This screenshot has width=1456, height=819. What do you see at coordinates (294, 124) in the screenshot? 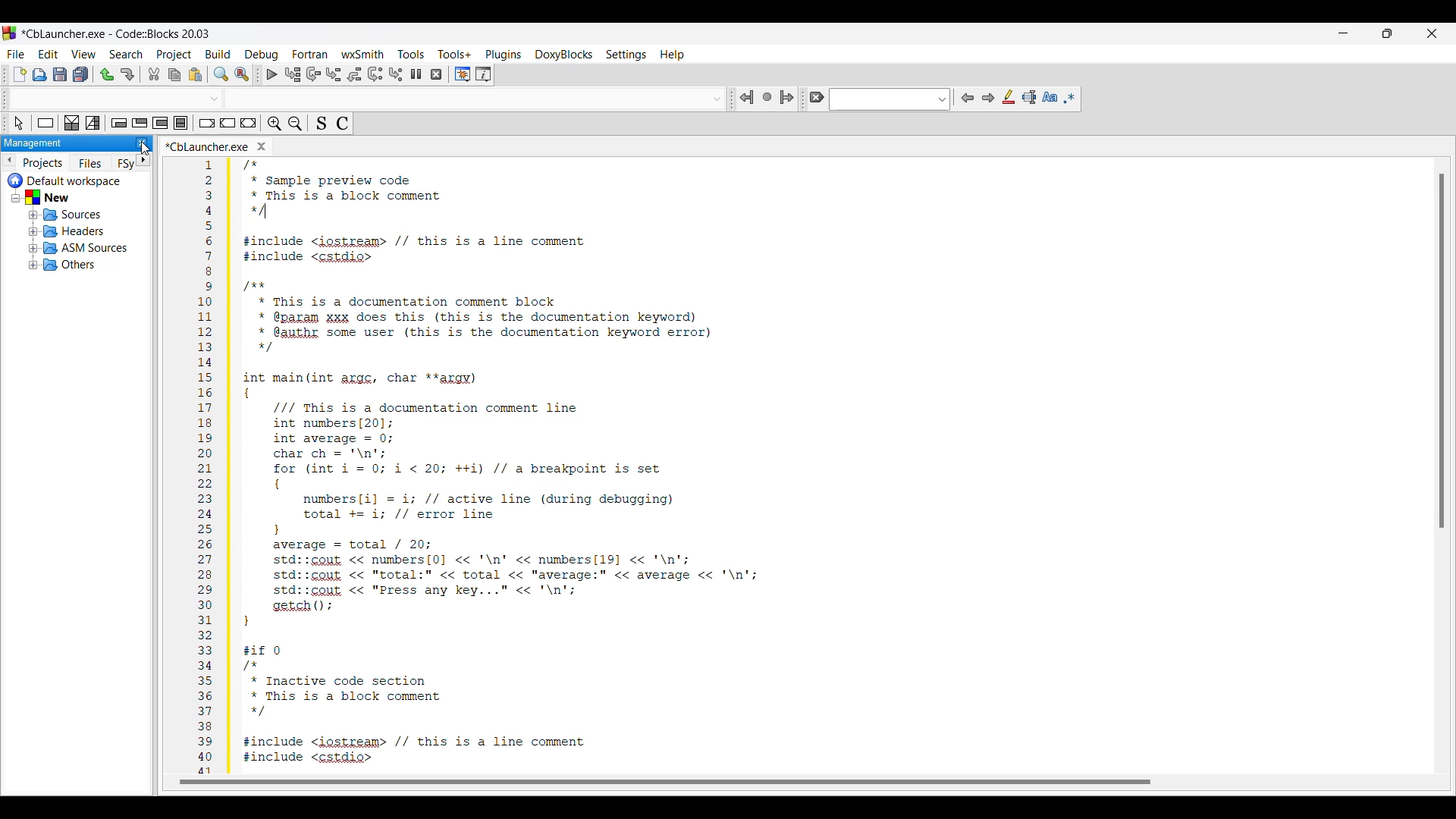
I see `Zoom out` at bounding box center [294, 124].